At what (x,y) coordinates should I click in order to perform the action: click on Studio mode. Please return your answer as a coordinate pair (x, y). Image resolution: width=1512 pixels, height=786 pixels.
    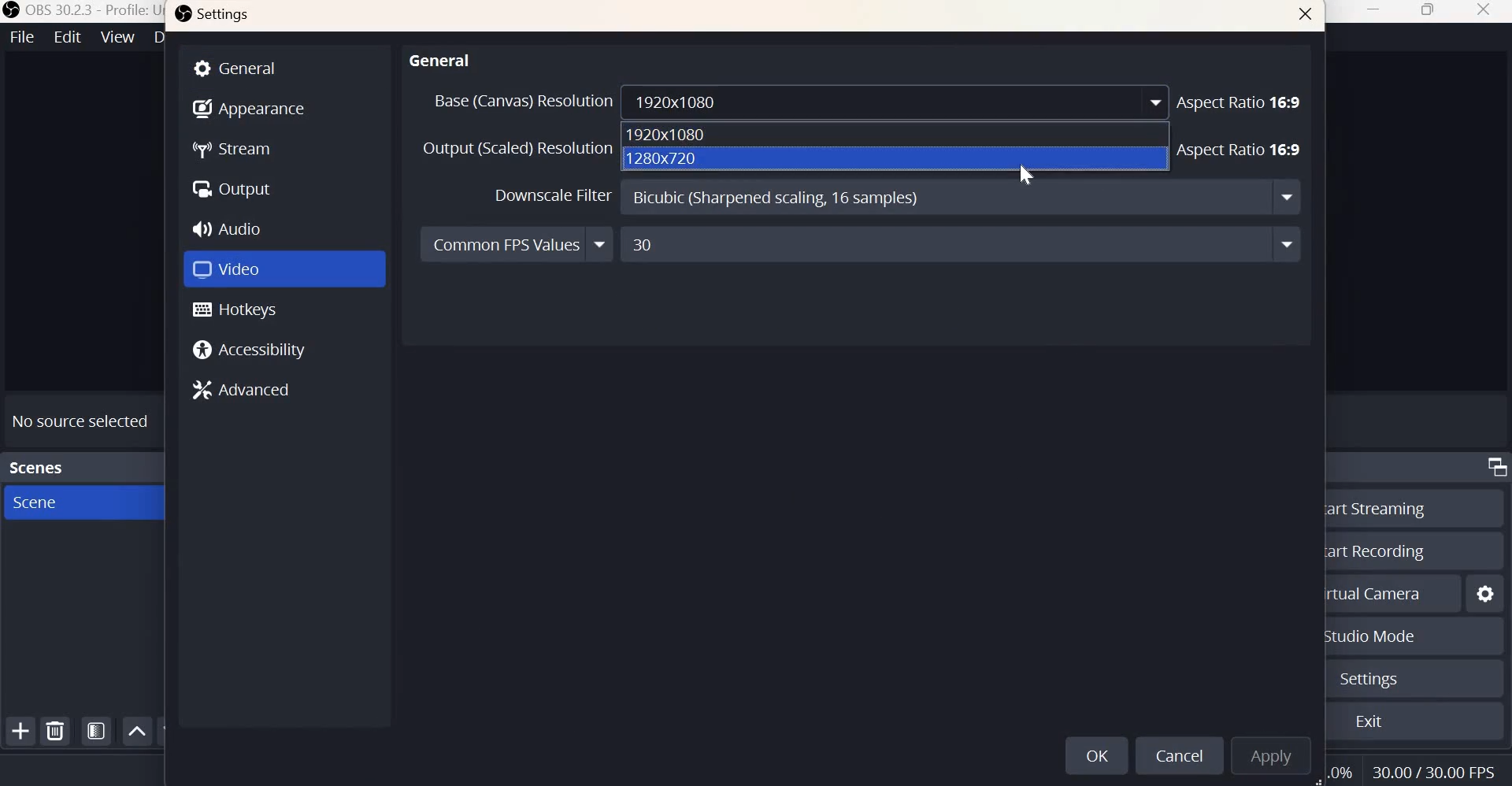
    Looking at the image, I should click on (1369, 637).